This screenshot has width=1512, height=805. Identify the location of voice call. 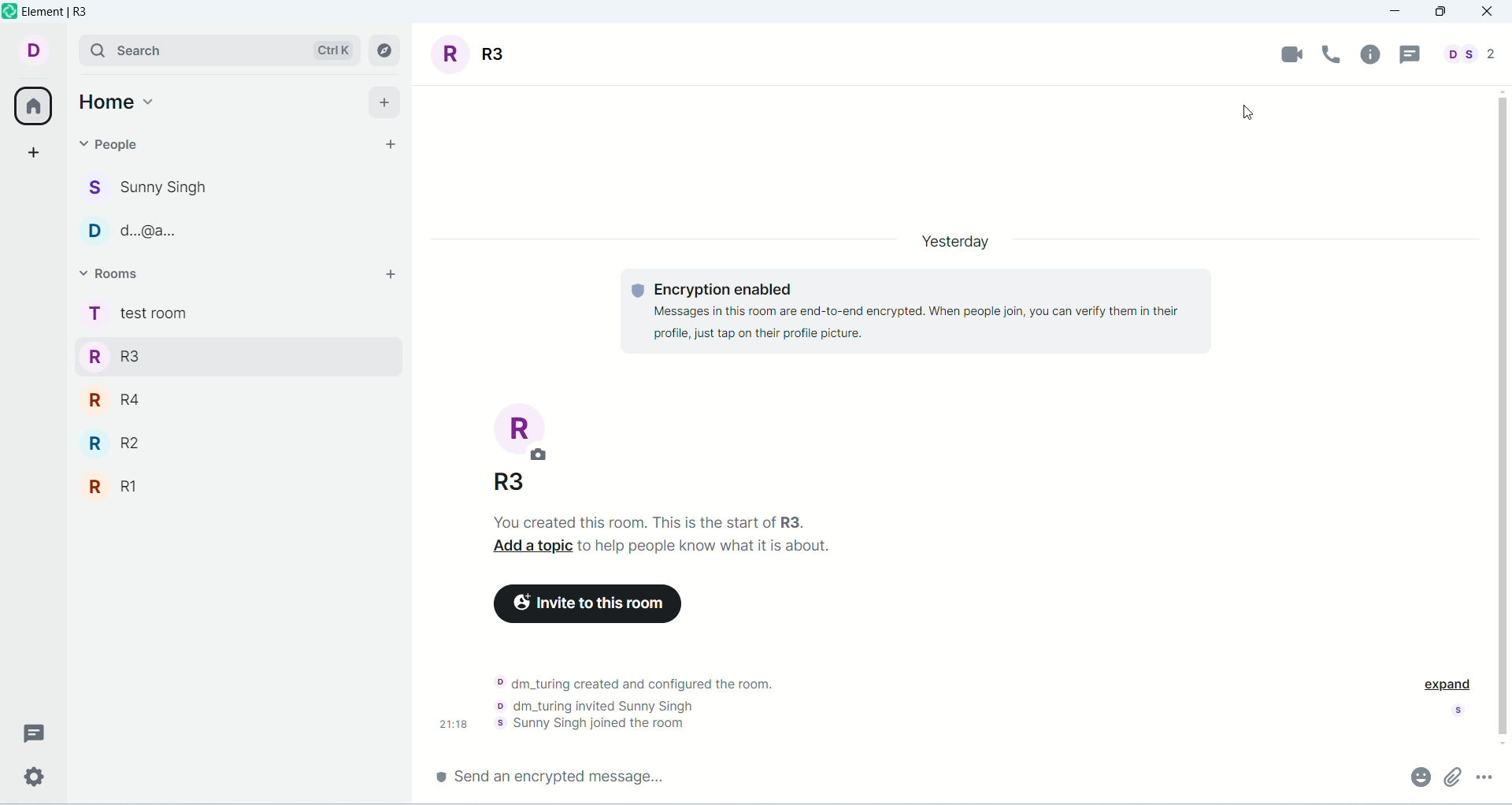
(1335, 54).